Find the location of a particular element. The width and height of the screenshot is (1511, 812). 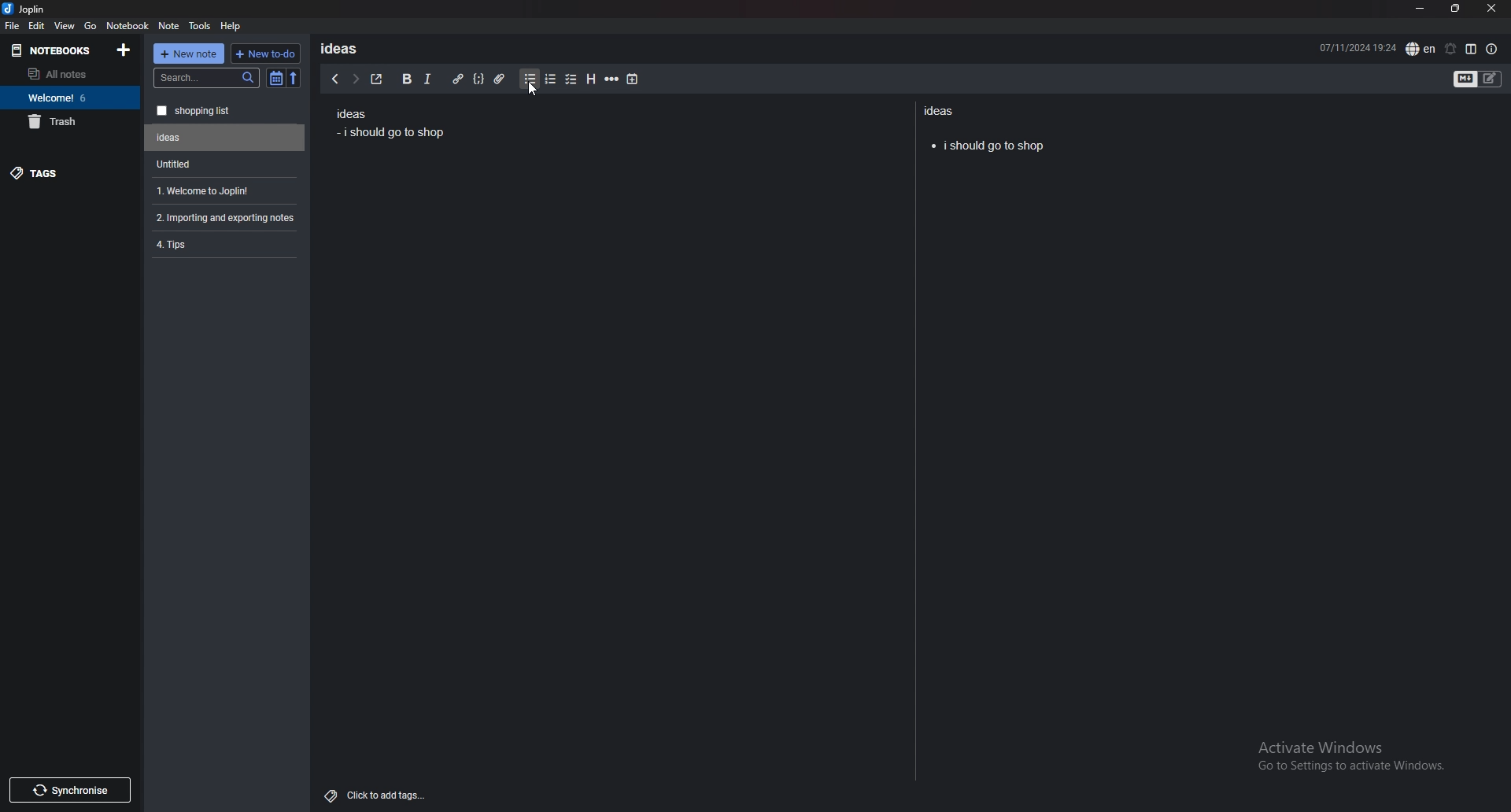

i should go to shop is located at coordinates (393, 134).